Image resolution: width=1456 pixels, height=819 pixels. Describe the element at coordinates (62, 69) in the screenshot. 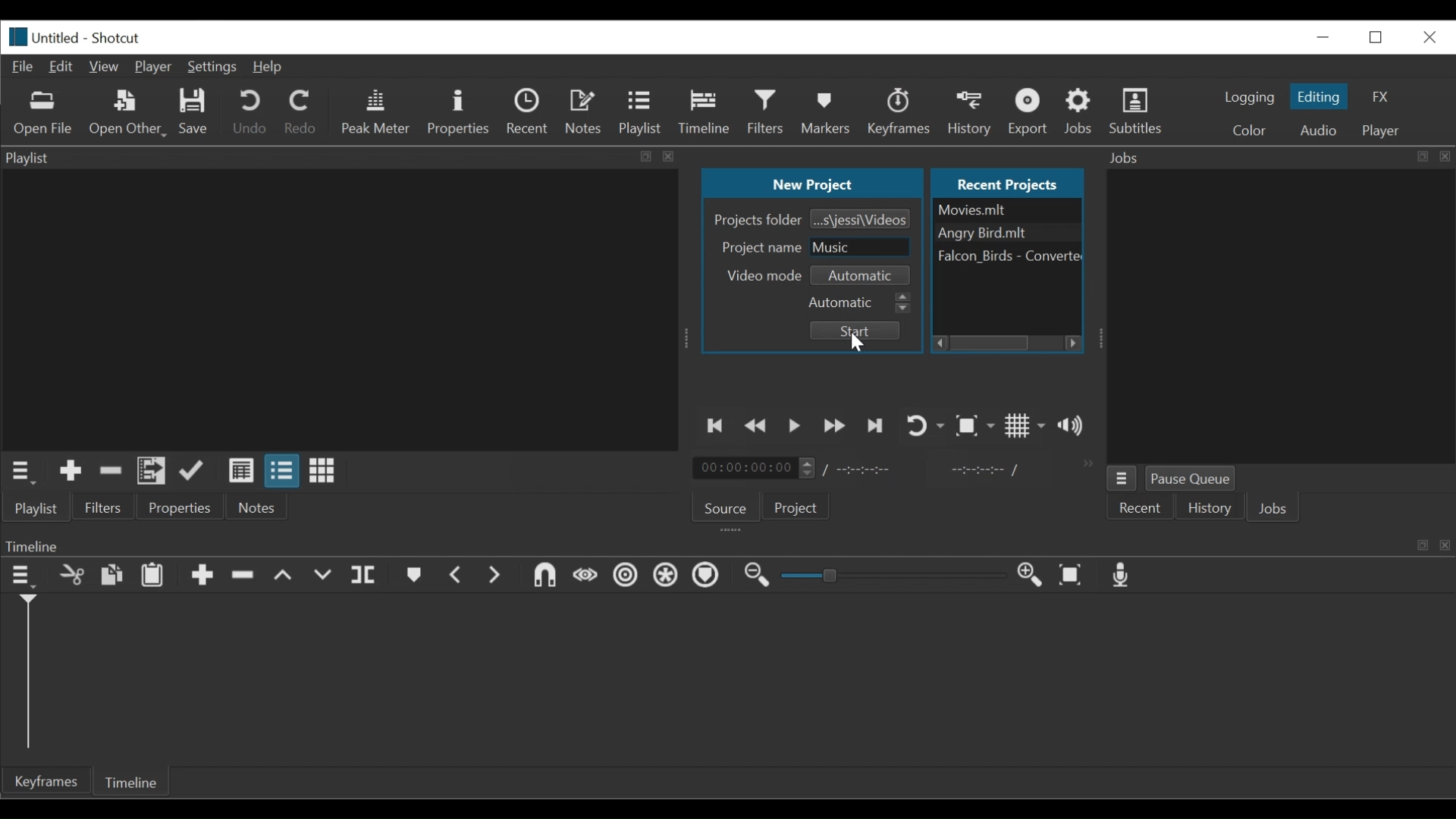

I see `Edit` at that location.